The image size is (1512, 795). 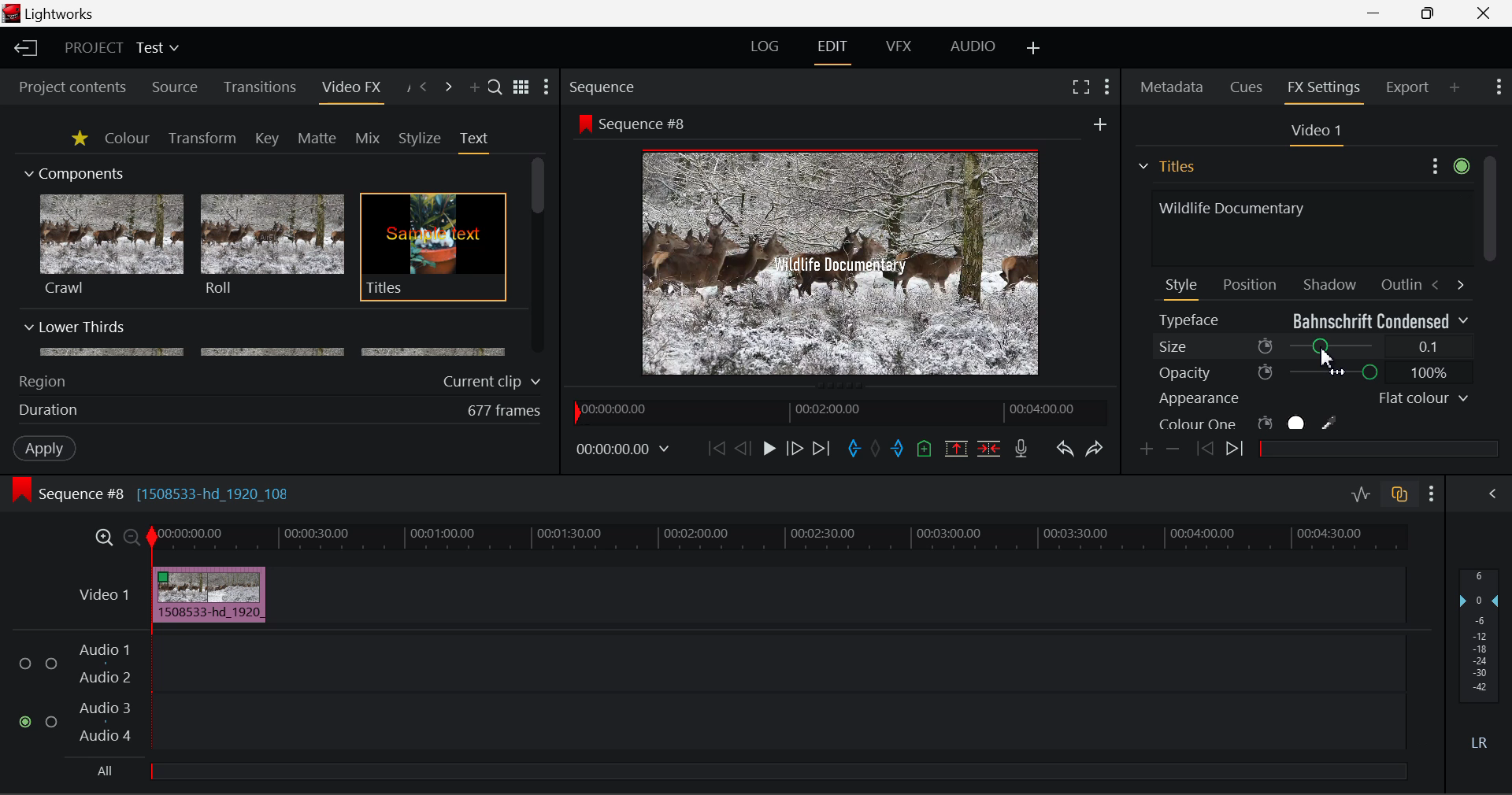 I want to click on Project Title, so click(x=123, y=46).